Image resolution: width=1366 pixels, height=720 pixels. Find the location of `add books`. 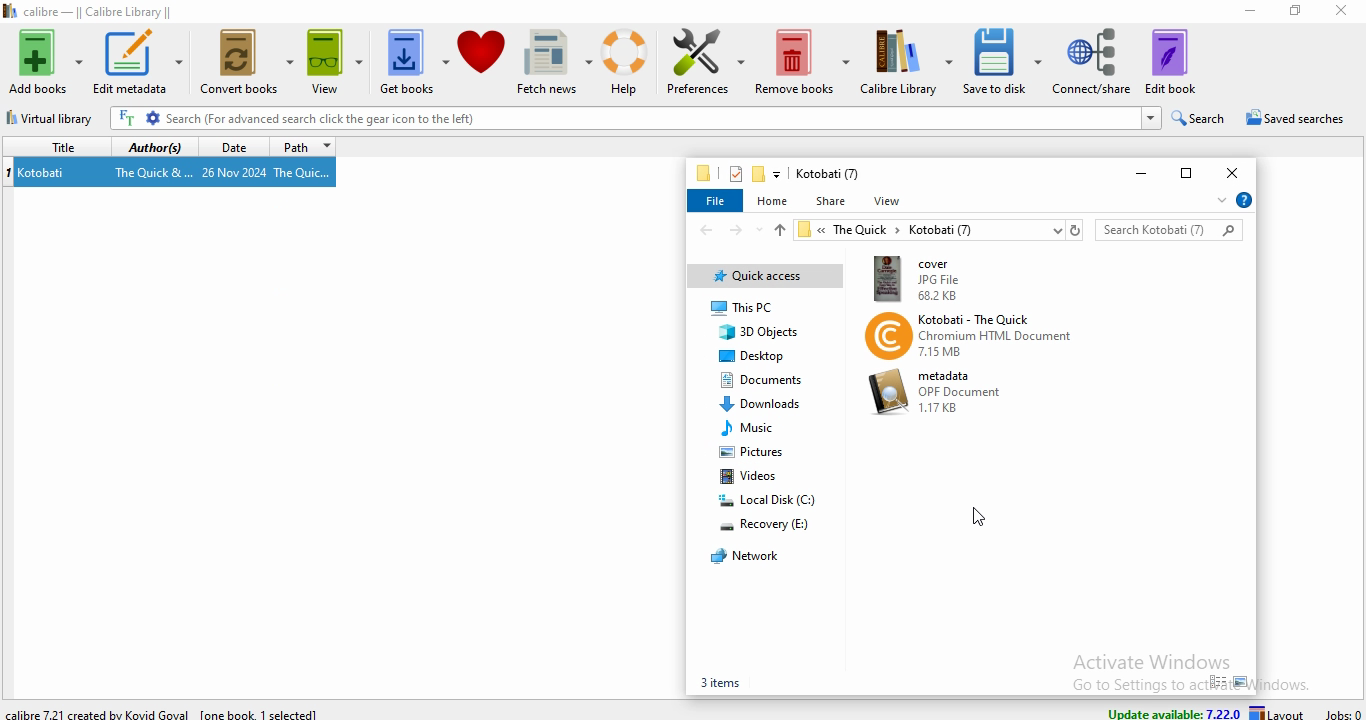

add books is located at coordinates (45, 62).